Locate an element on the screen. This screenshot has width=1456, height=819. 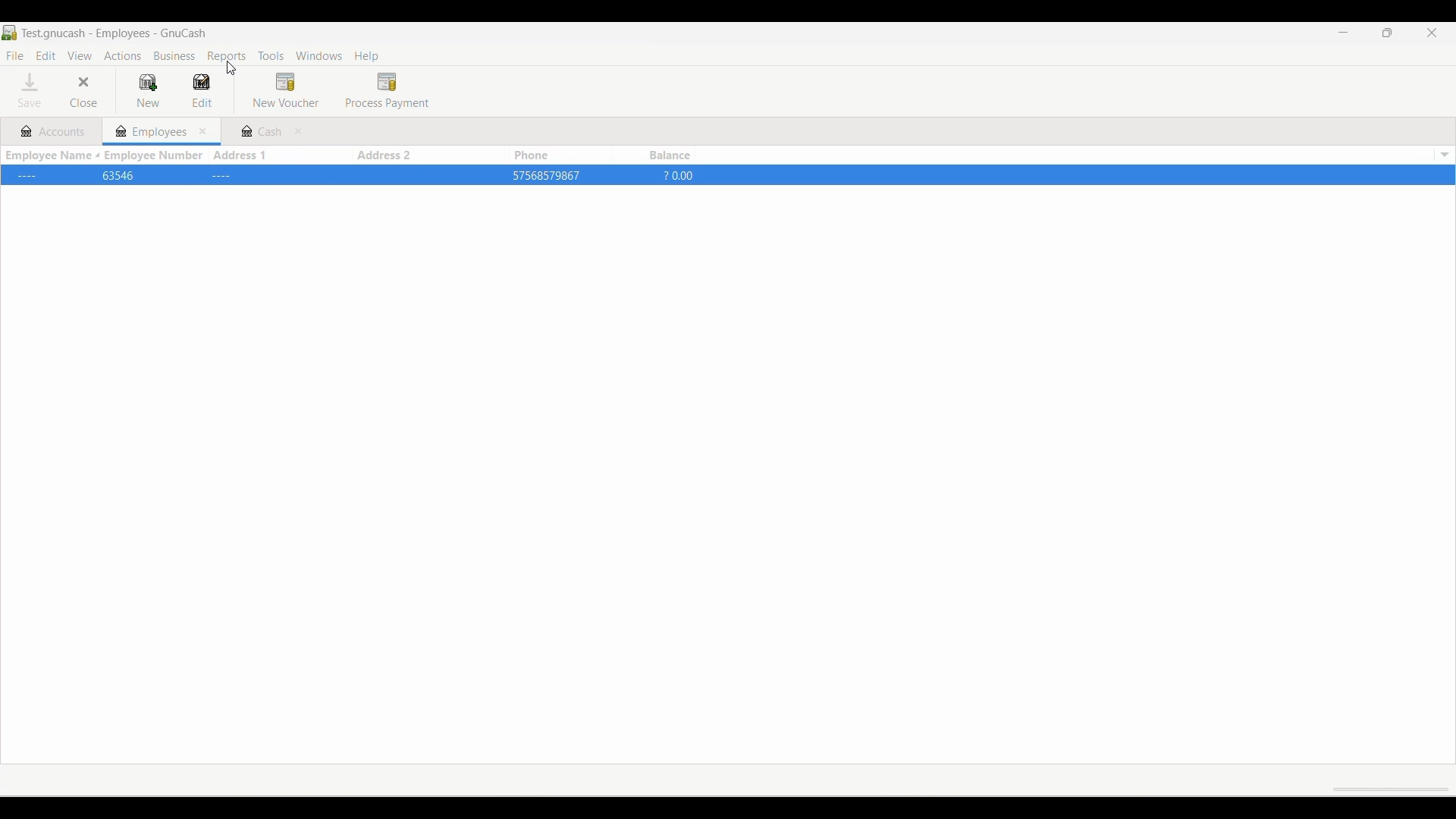
Edit is located at coordinates (204, 91).